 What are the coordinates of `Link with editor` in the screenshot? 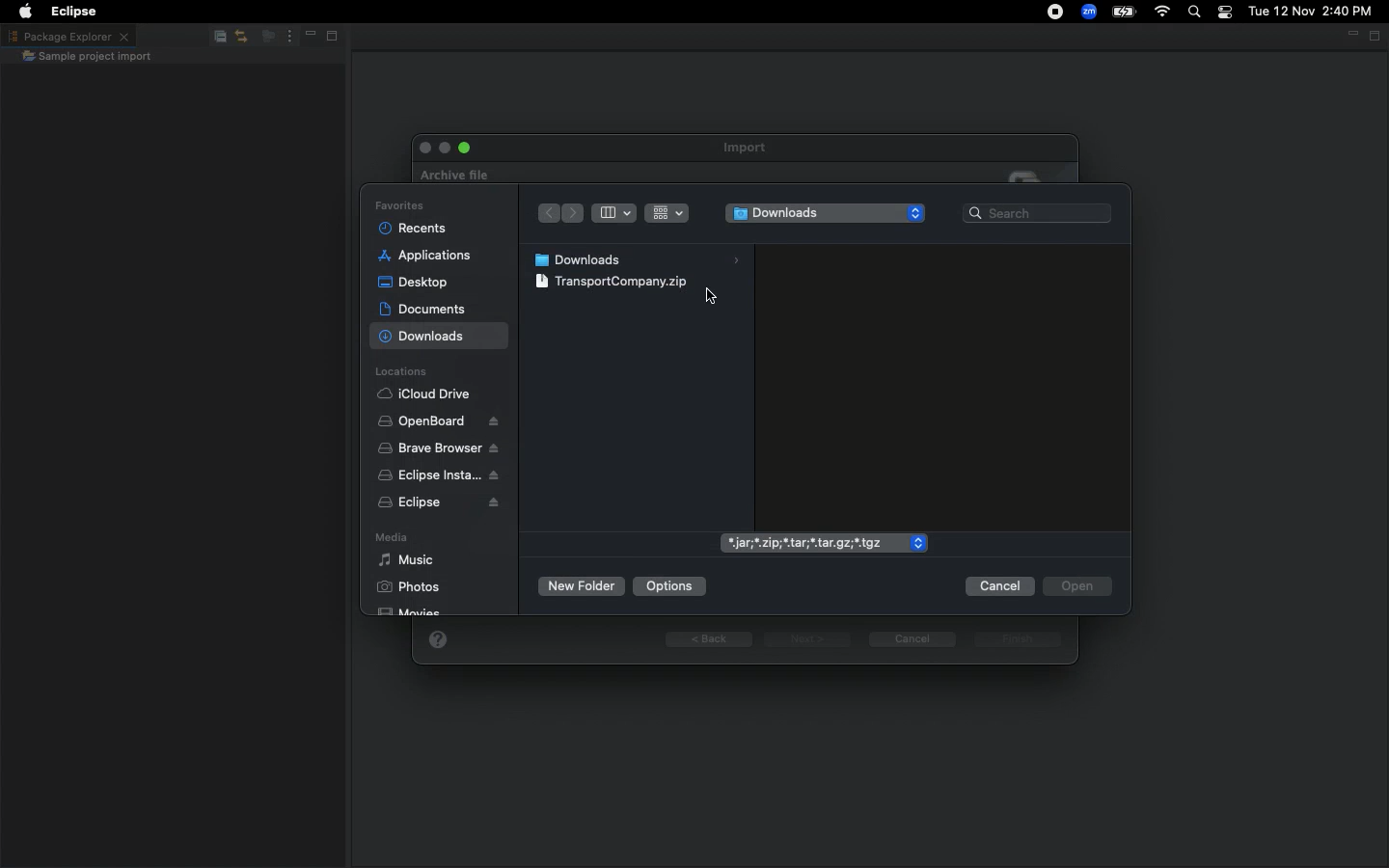 It's located at (240, 38).